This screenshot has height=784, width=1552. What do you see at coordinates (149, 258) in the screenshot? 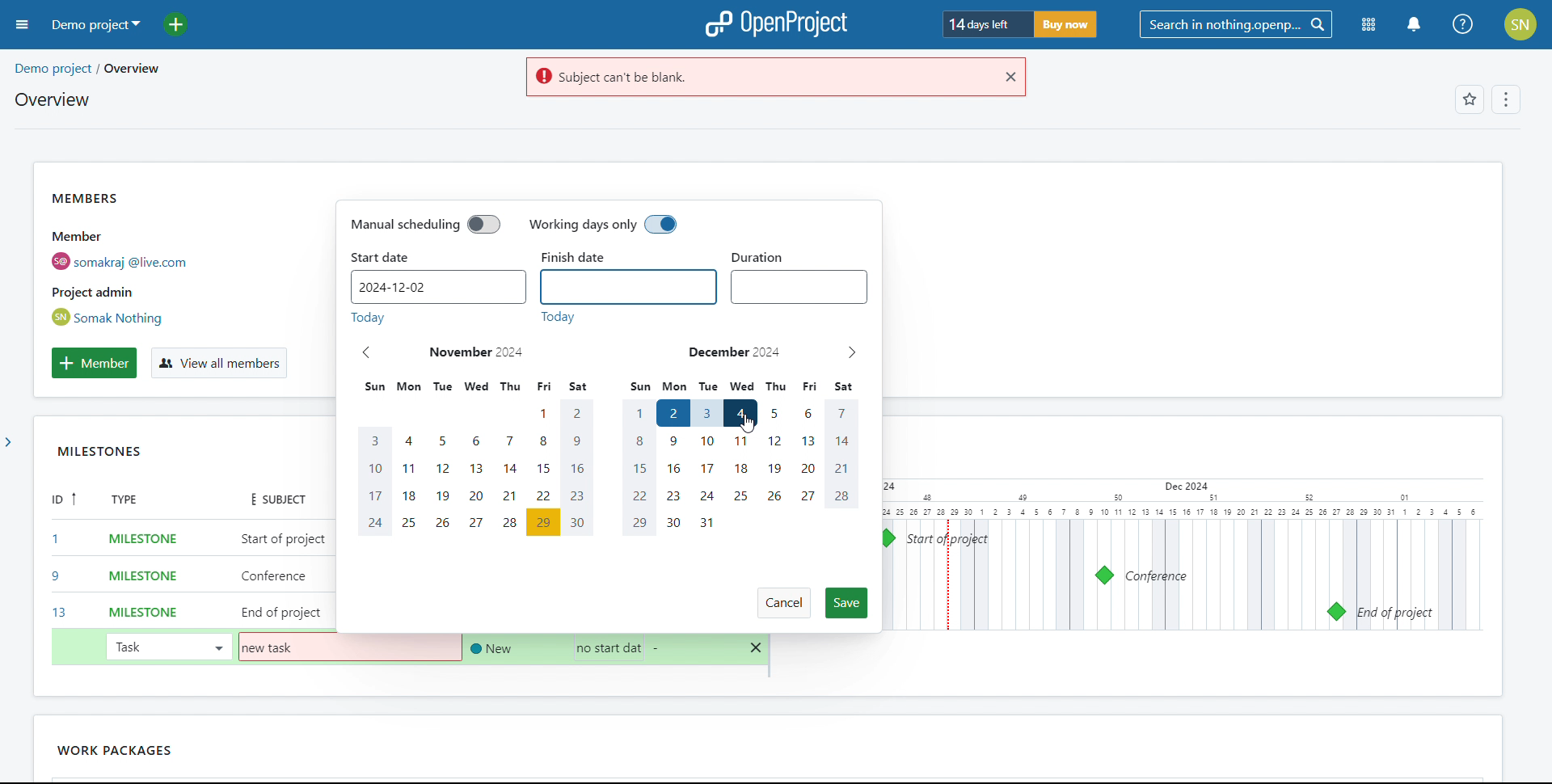
I see `members` at bounding box center [149, 258].